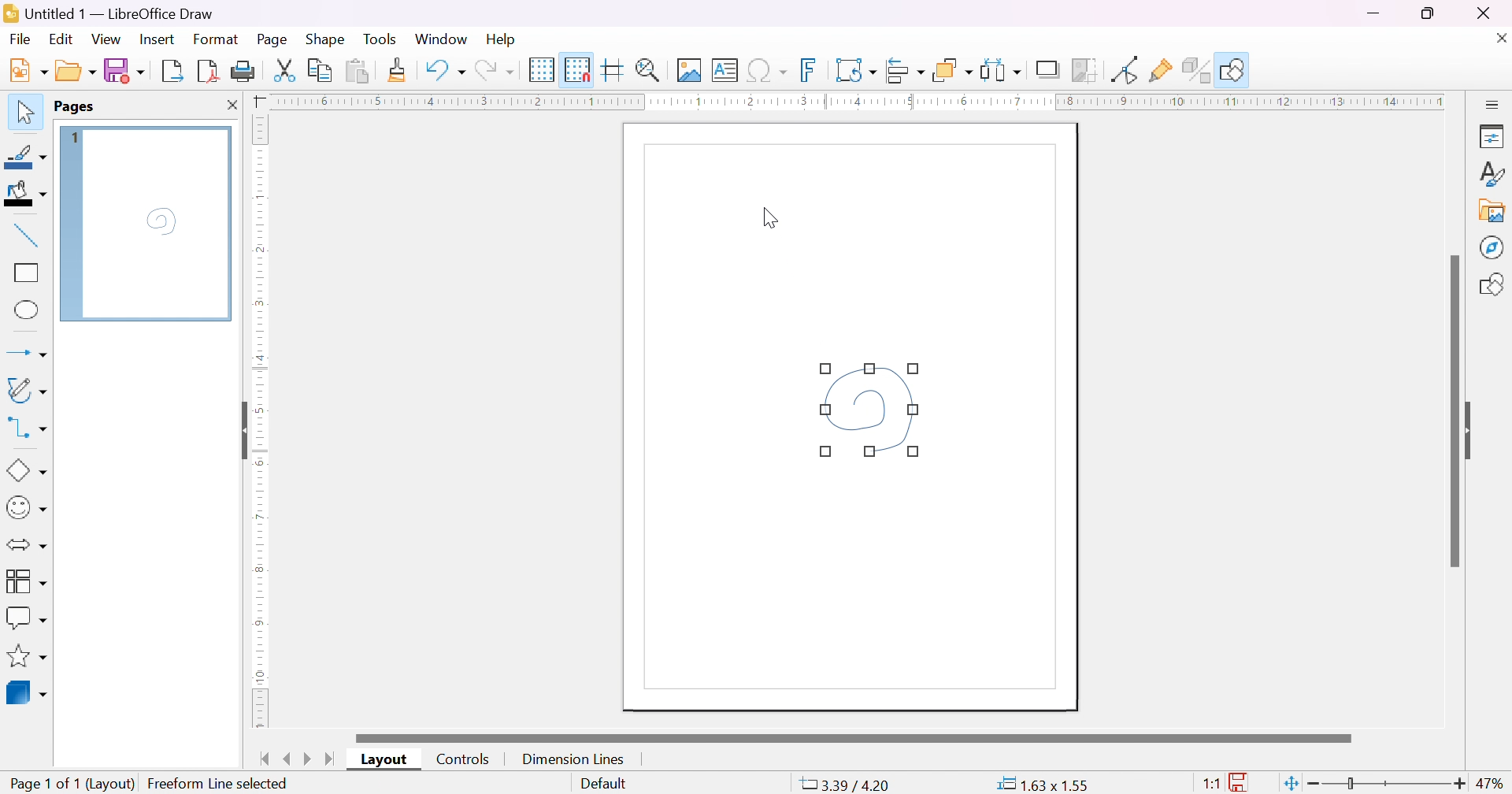 This screenshot has height=794, width=1512. I want to click on callout shapes, so click(27, 617).